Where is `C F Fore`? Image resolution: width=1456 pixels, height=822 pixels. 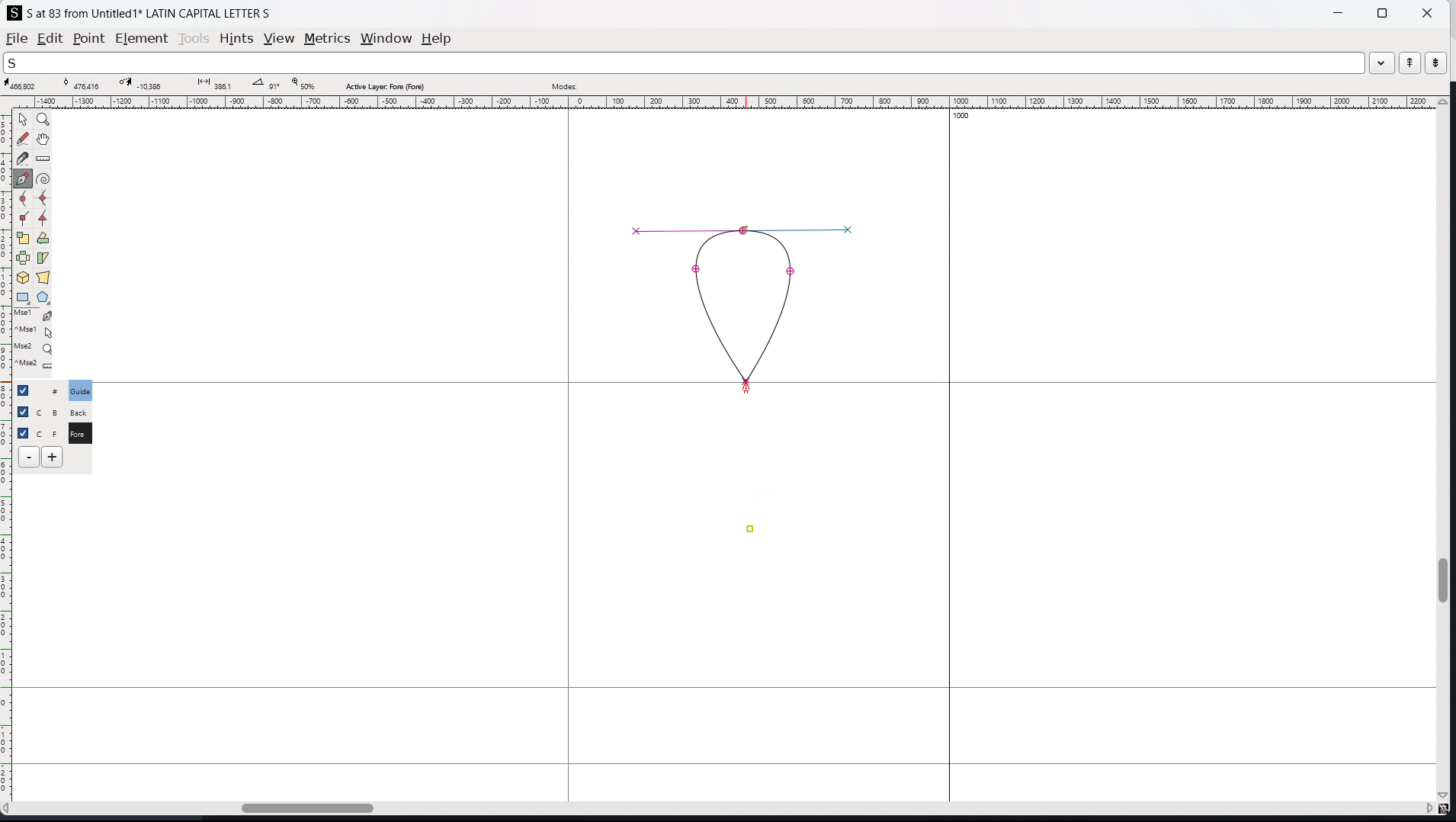
C F Fore is located at coordinates (79, 432).